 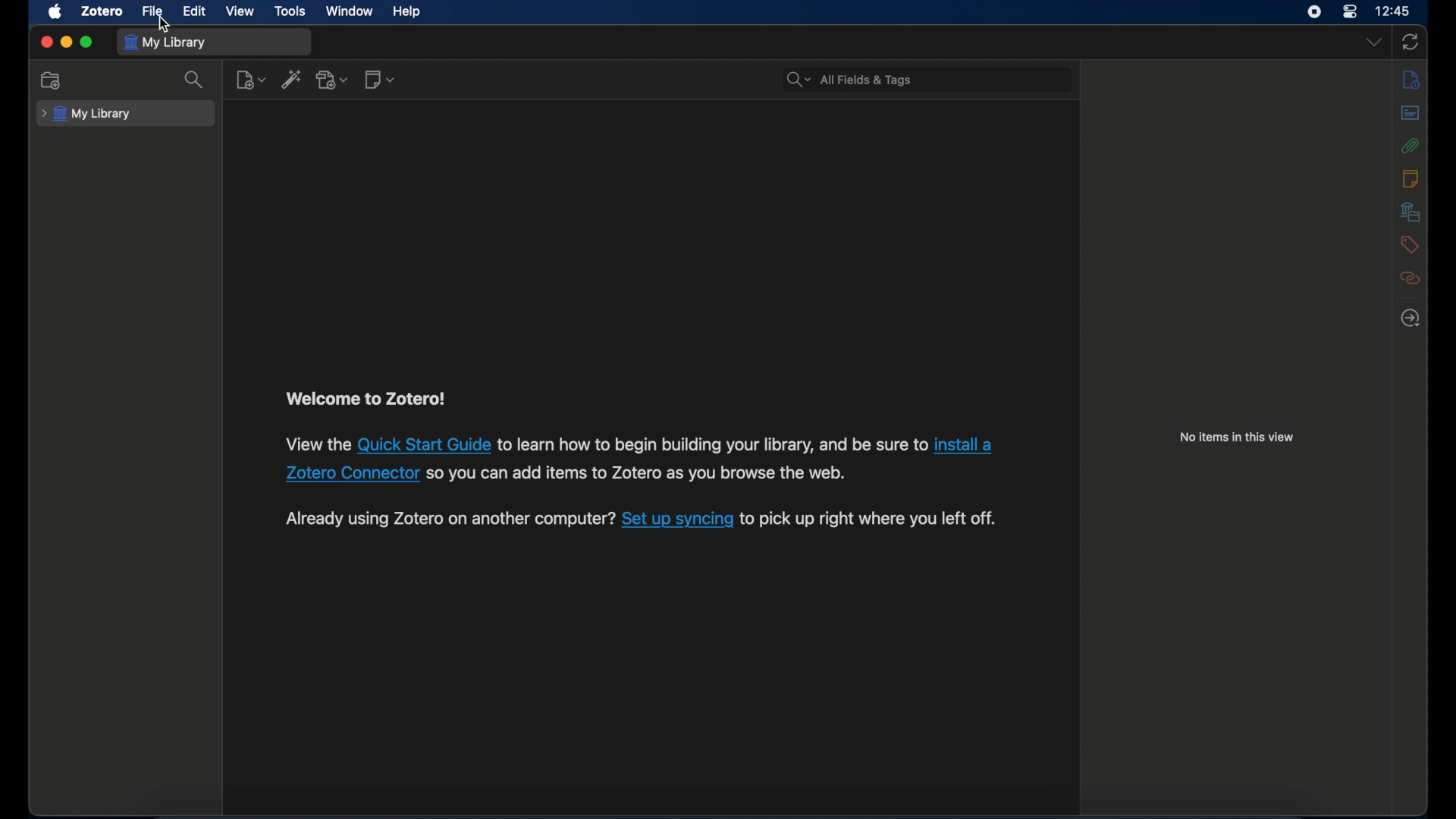 What do you see at coordinates (102, 11) in the screenshot?
I see `zotero` at bounding box center [102, 11].